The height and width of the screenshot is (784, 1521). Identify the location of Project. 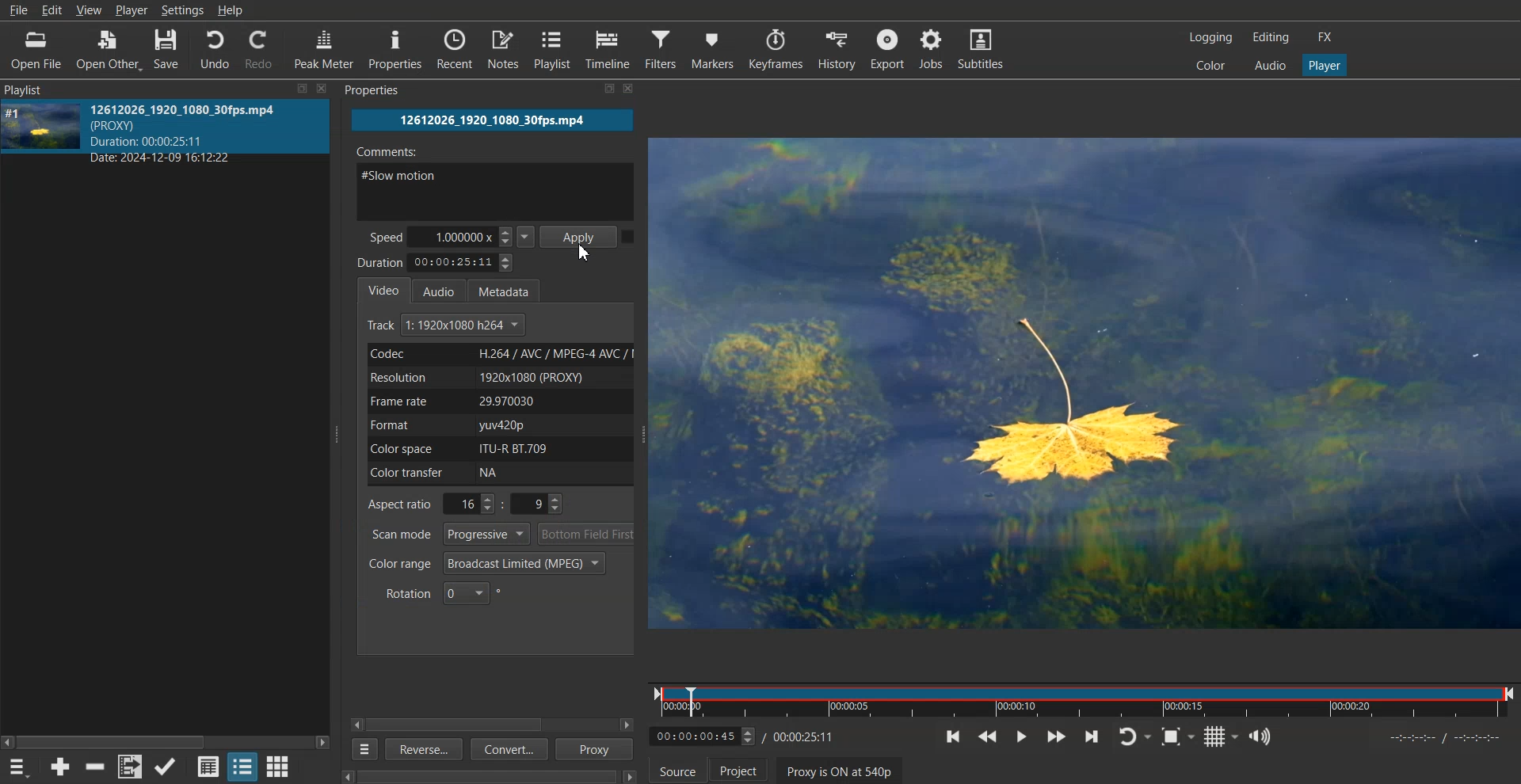
(738, 769).